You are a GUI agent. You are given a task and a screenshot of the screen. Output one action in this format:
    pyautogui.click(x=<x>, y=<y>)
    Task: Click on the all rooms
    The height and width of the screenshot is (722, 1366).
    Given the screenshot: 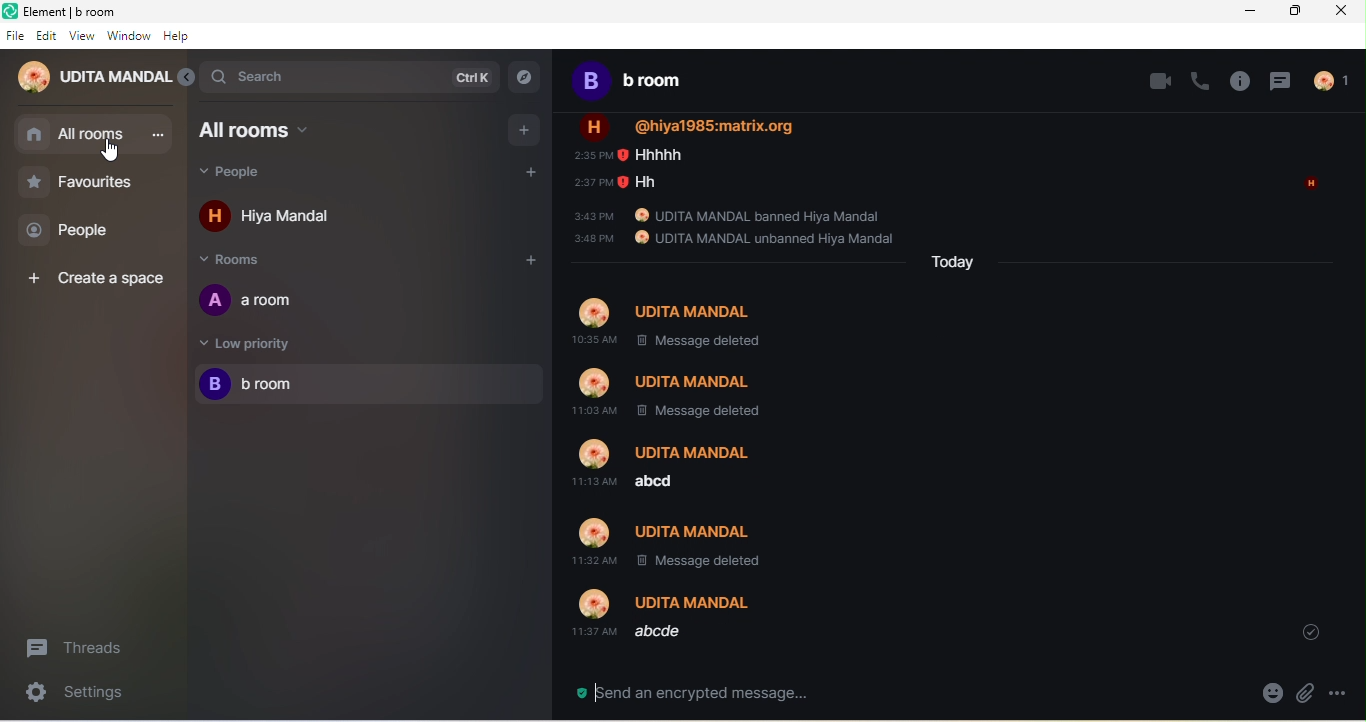 What is the action you would take?
    pyautogui.click(x=286, y=129)
    